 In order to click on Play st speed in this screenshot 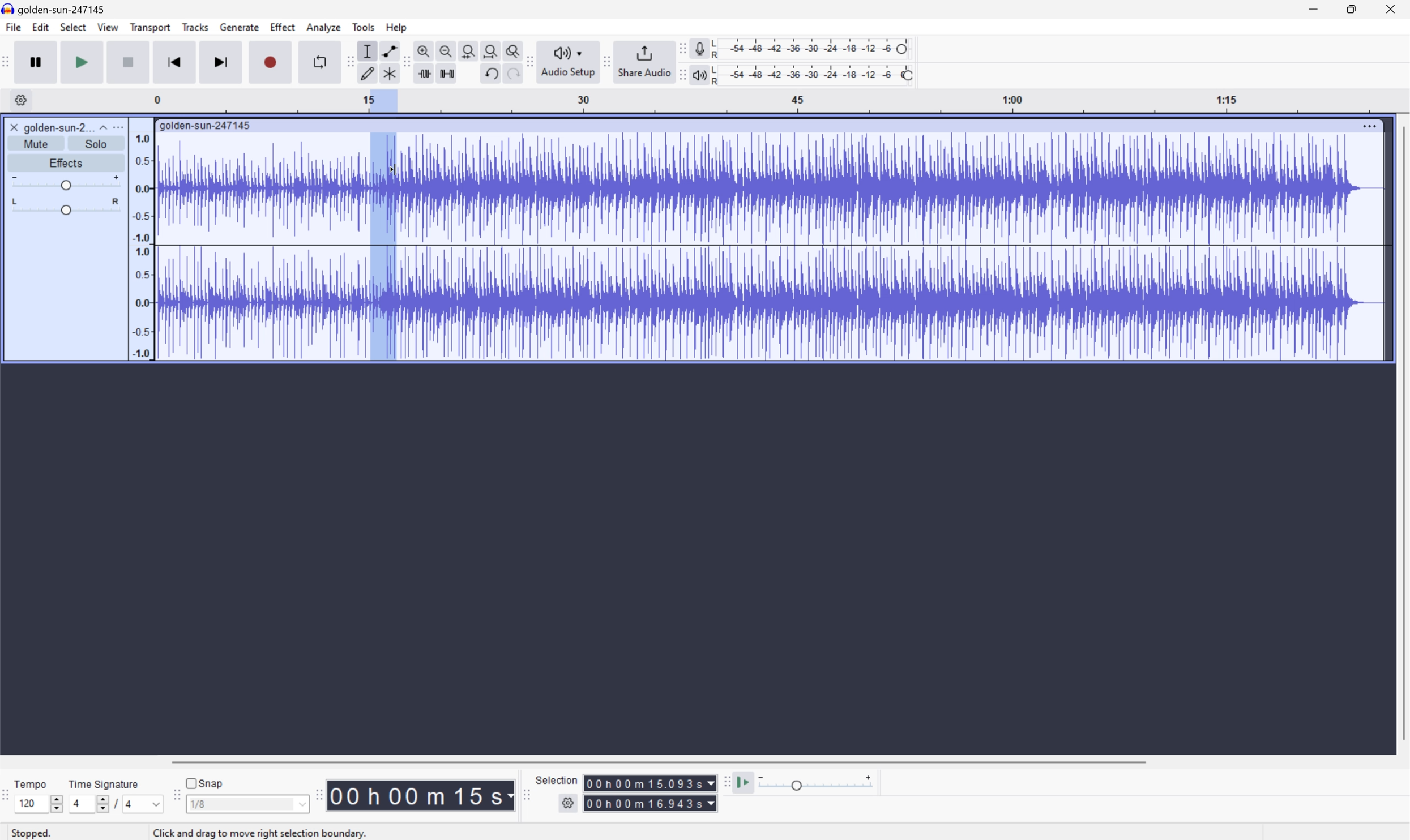, I will do `click(745, 783)`.